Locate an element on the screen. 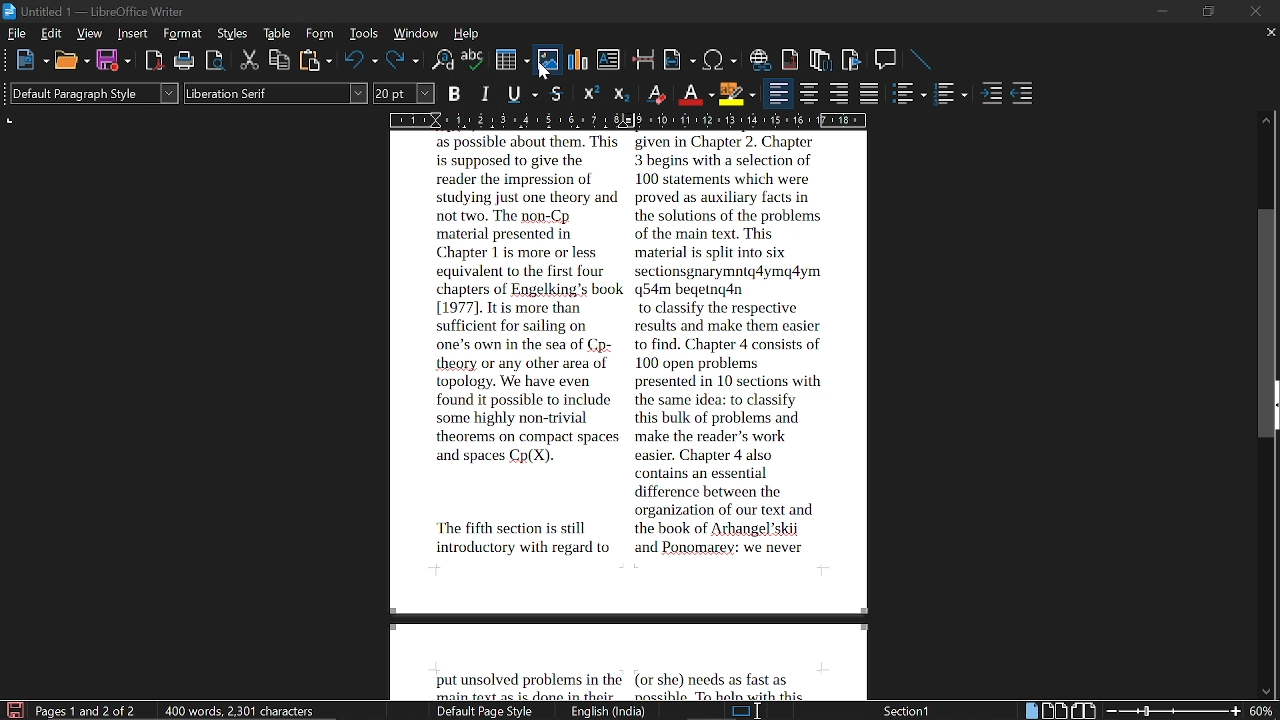  new is located at coordinates (28, 61).